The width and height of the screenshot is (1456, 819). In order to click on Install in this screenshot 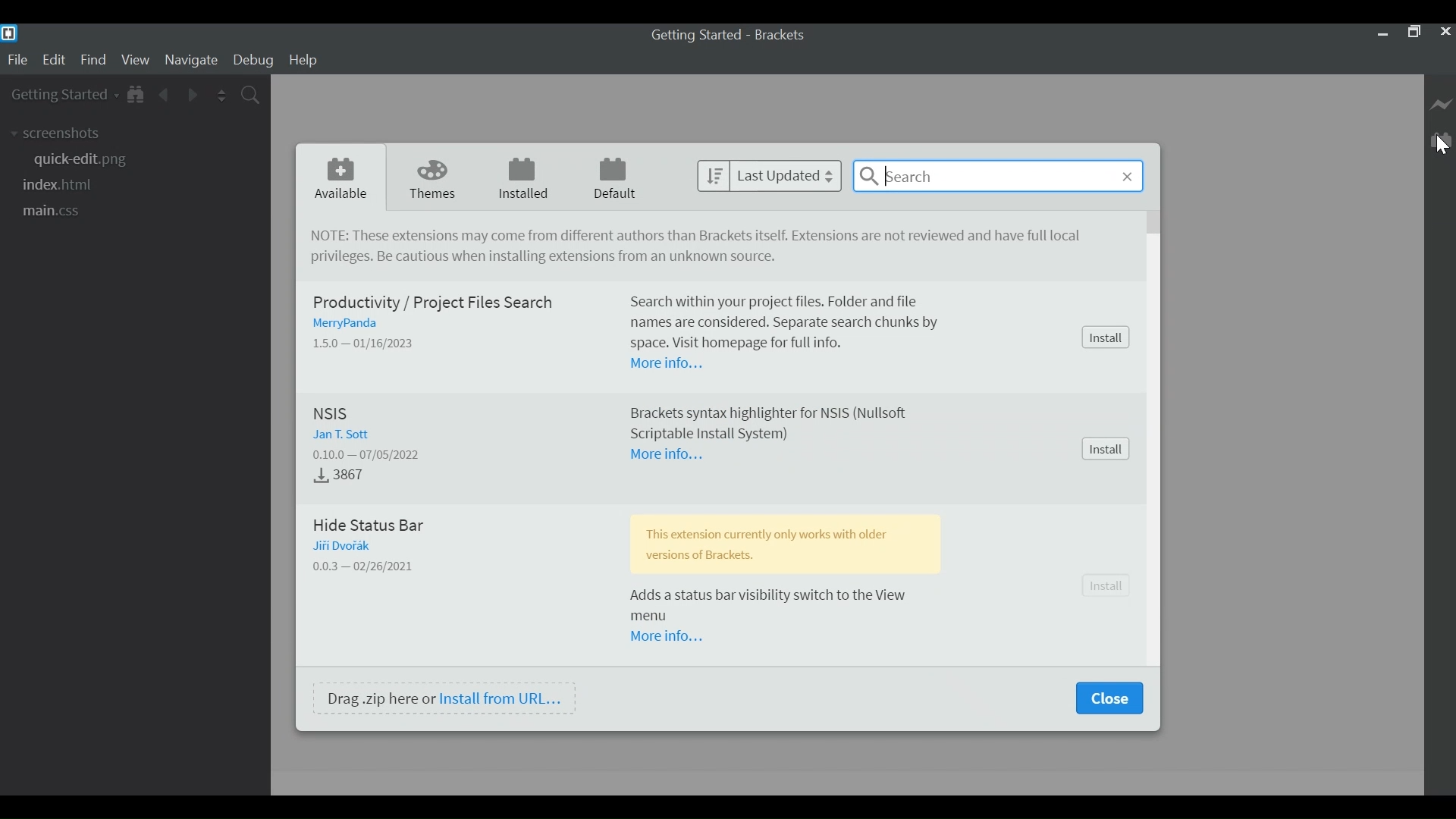, I will do `click(1108, 587)`.